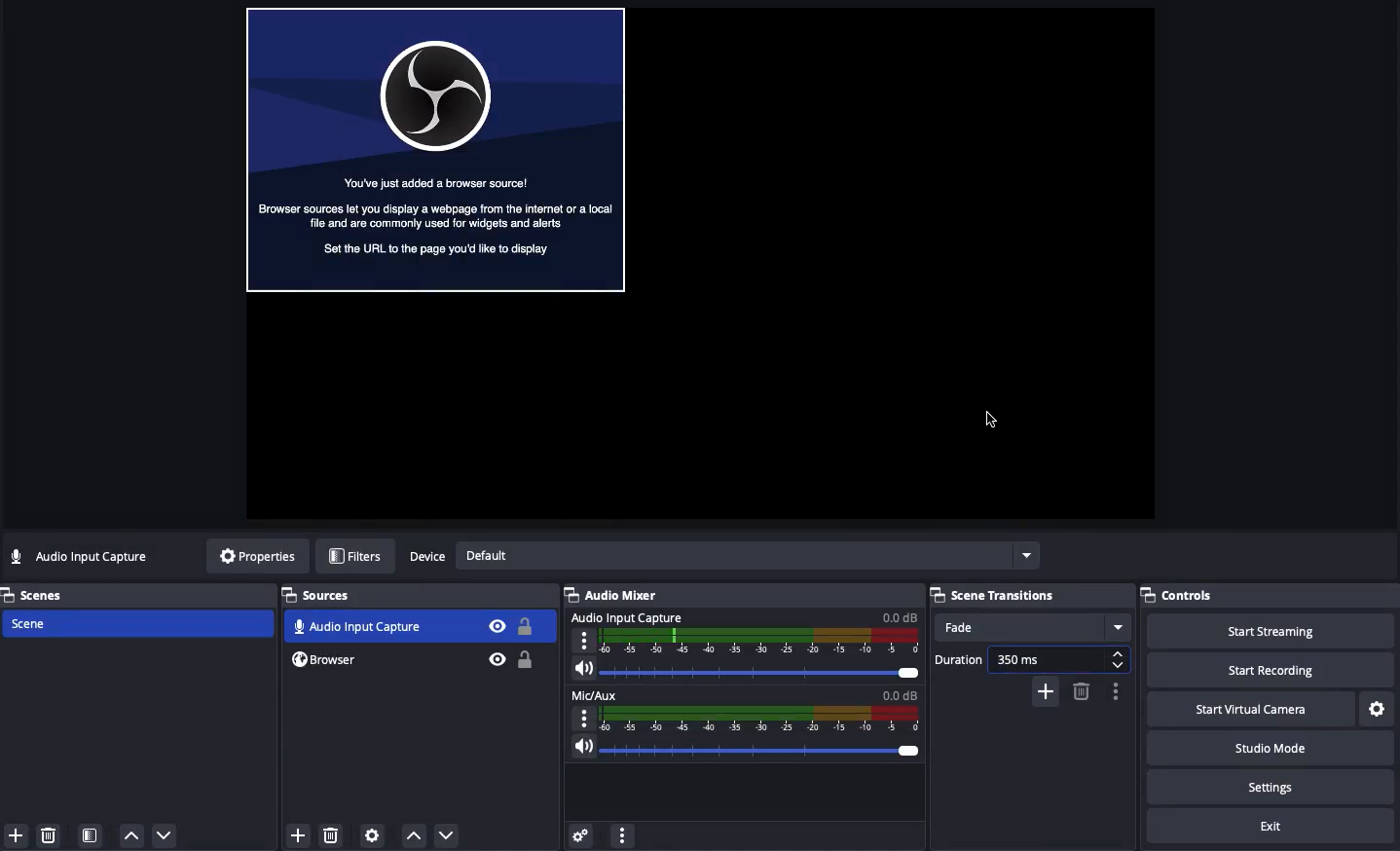  I want to click on Add, so click(16, 835).